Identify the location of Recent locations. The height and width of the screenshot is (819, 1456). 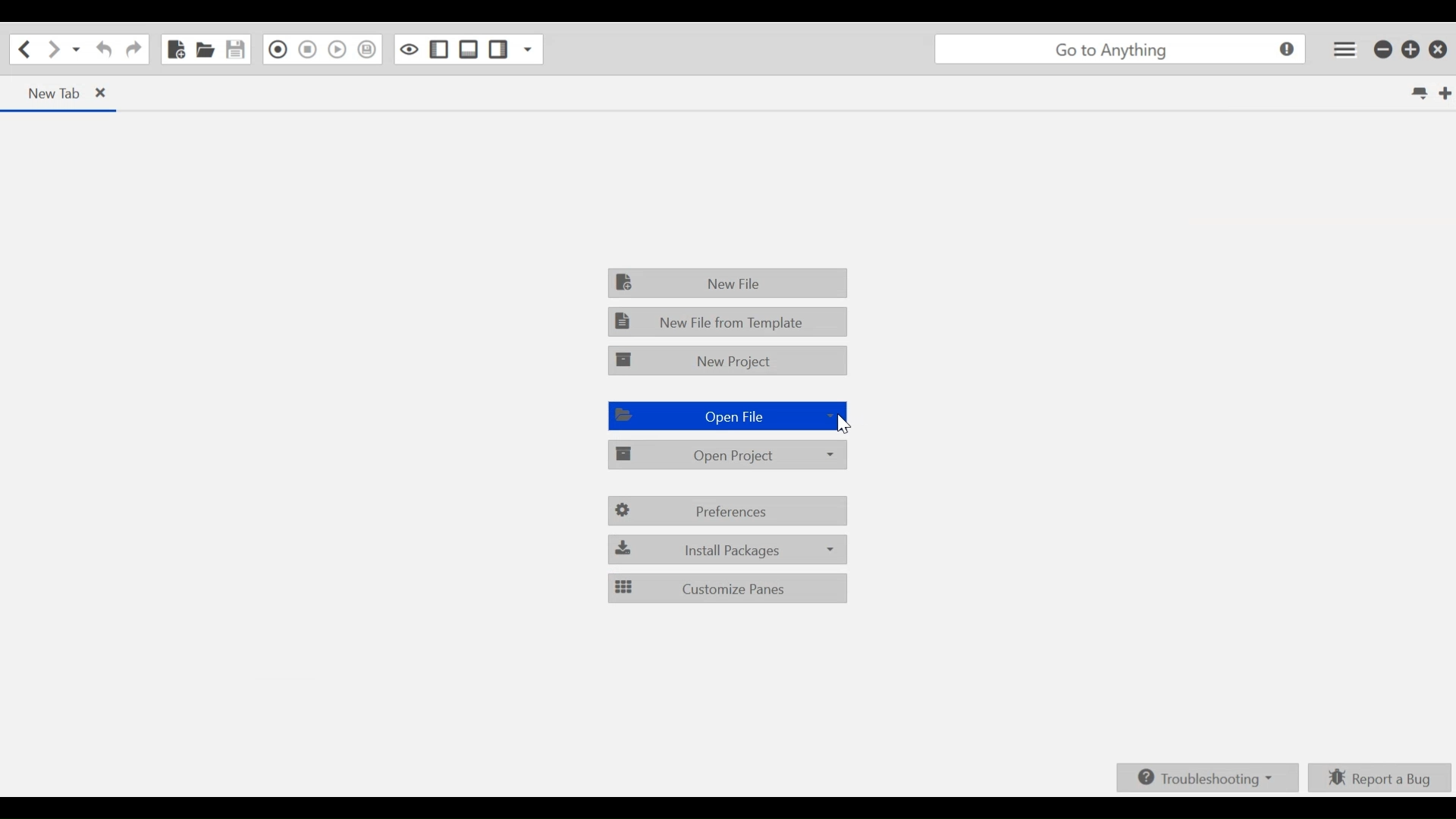
(78, 49).